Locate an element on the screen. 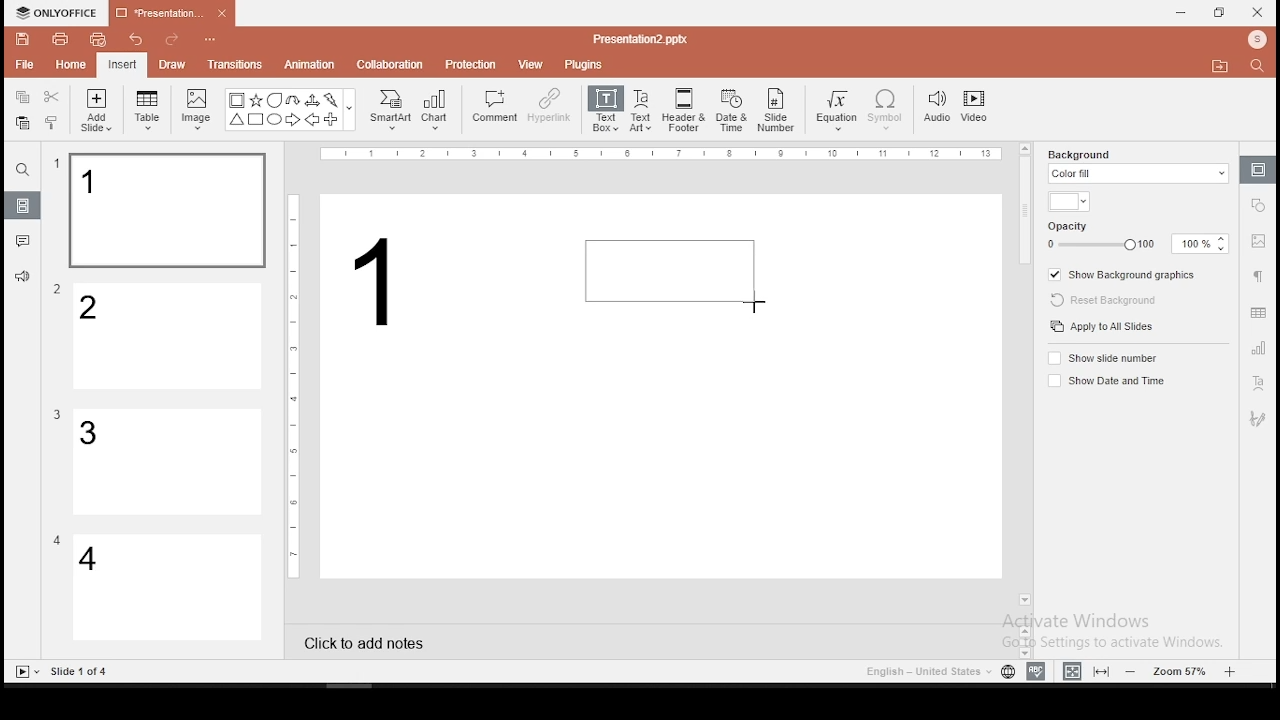 This screenshot has width=1280, height=720. Language is located at coordinates (925, 672).